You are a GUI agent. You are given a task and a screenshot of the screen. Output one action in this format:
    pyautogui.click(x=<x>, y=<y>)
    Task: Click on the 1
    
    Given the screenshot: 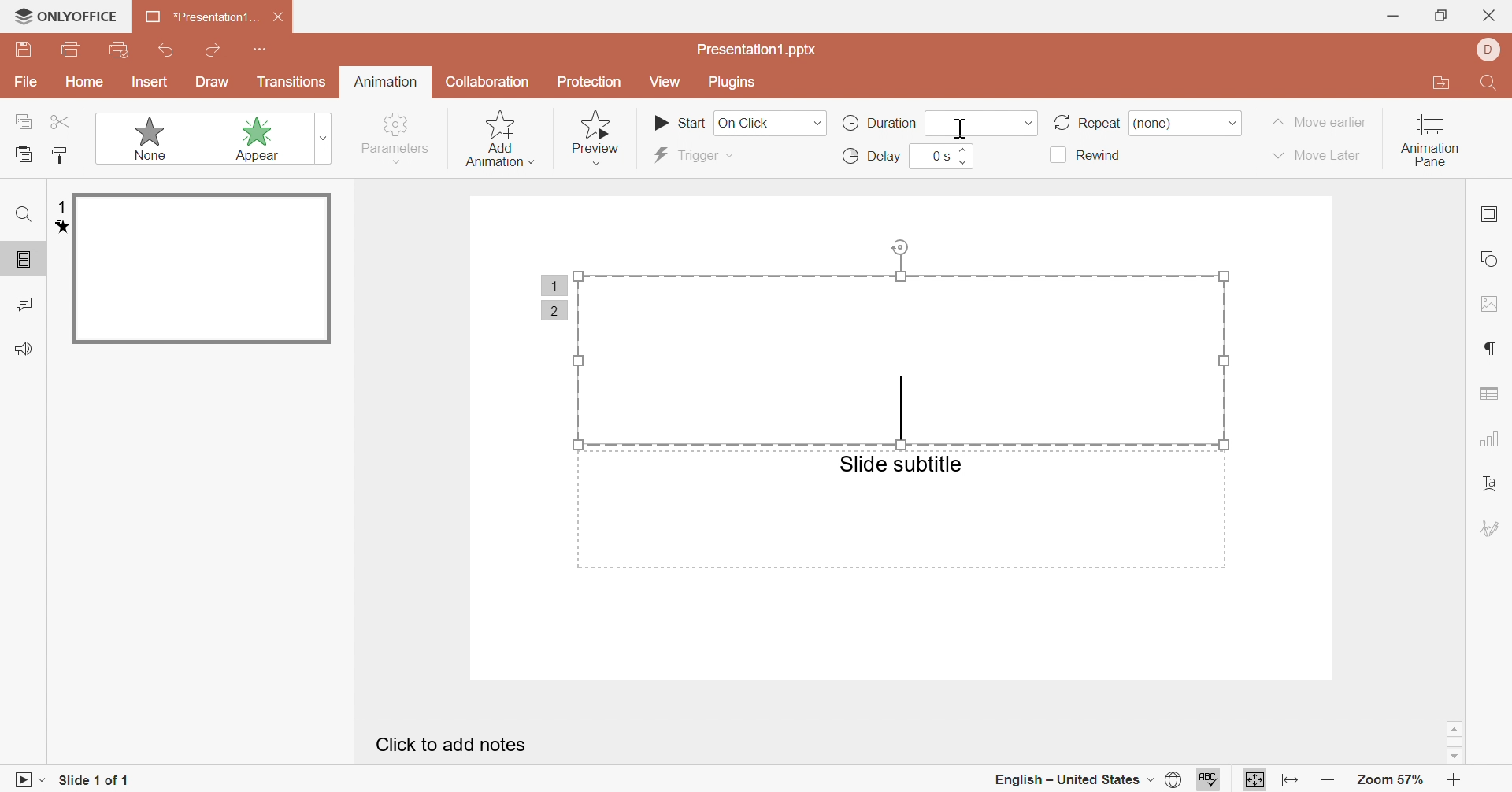 What is the action you would take?
    pyautogui.click(x=553, y=283)
    